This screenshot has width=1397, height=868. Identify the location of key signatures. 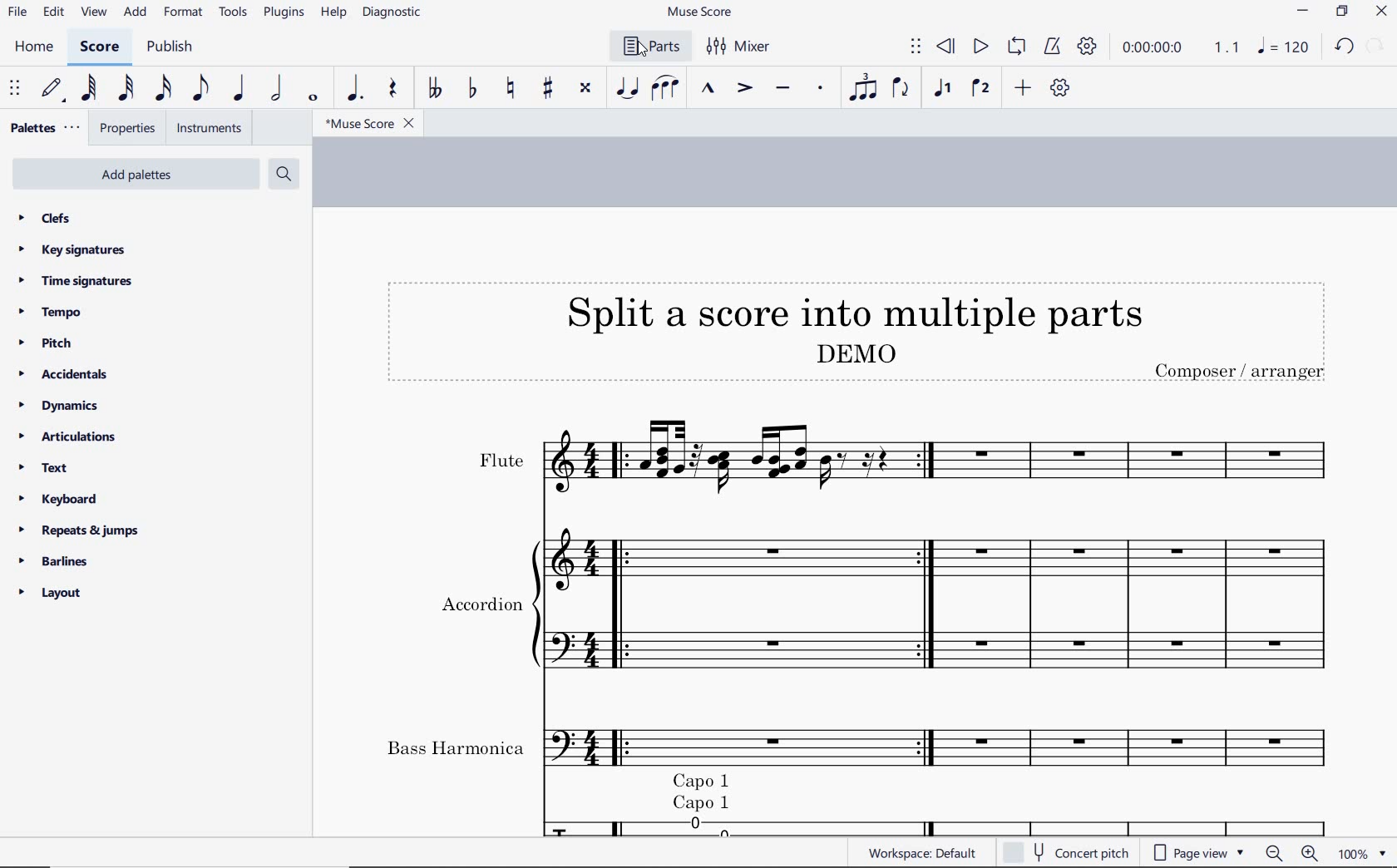
(71, 249).